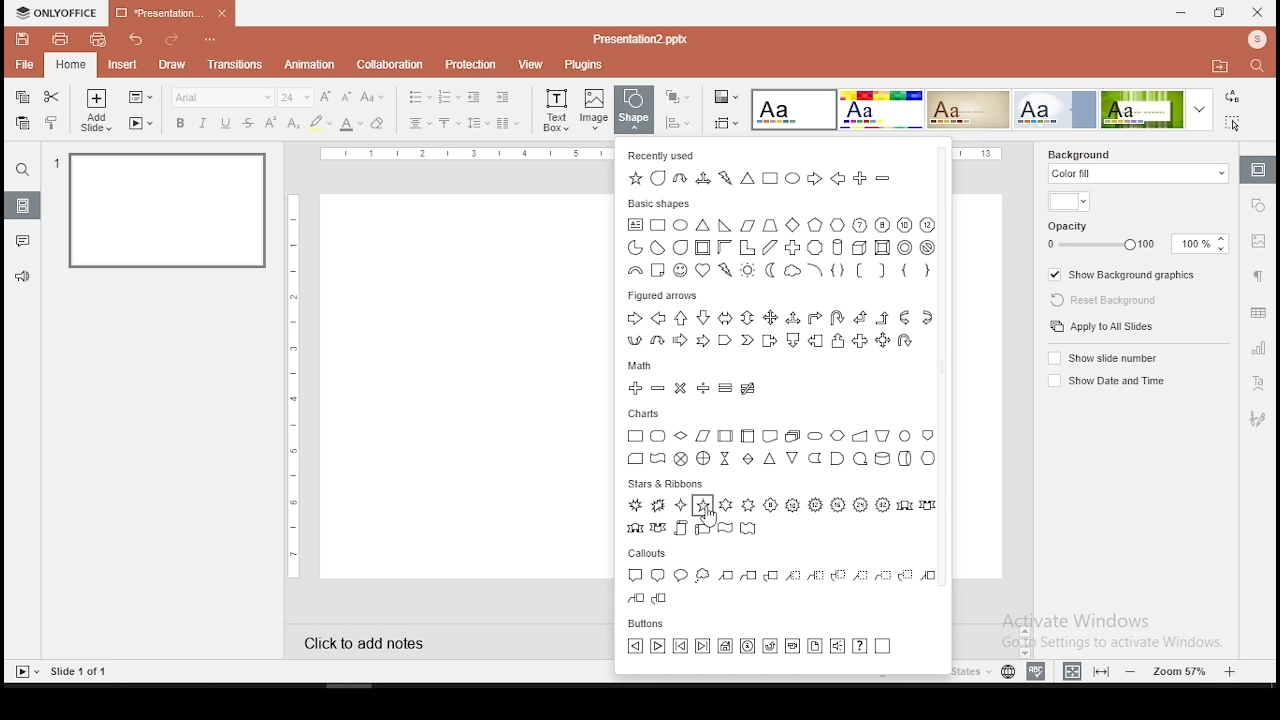  What do you see at coordinates (23, 39) in the screenshot?
I see `save` at bounding box center [23, 39].